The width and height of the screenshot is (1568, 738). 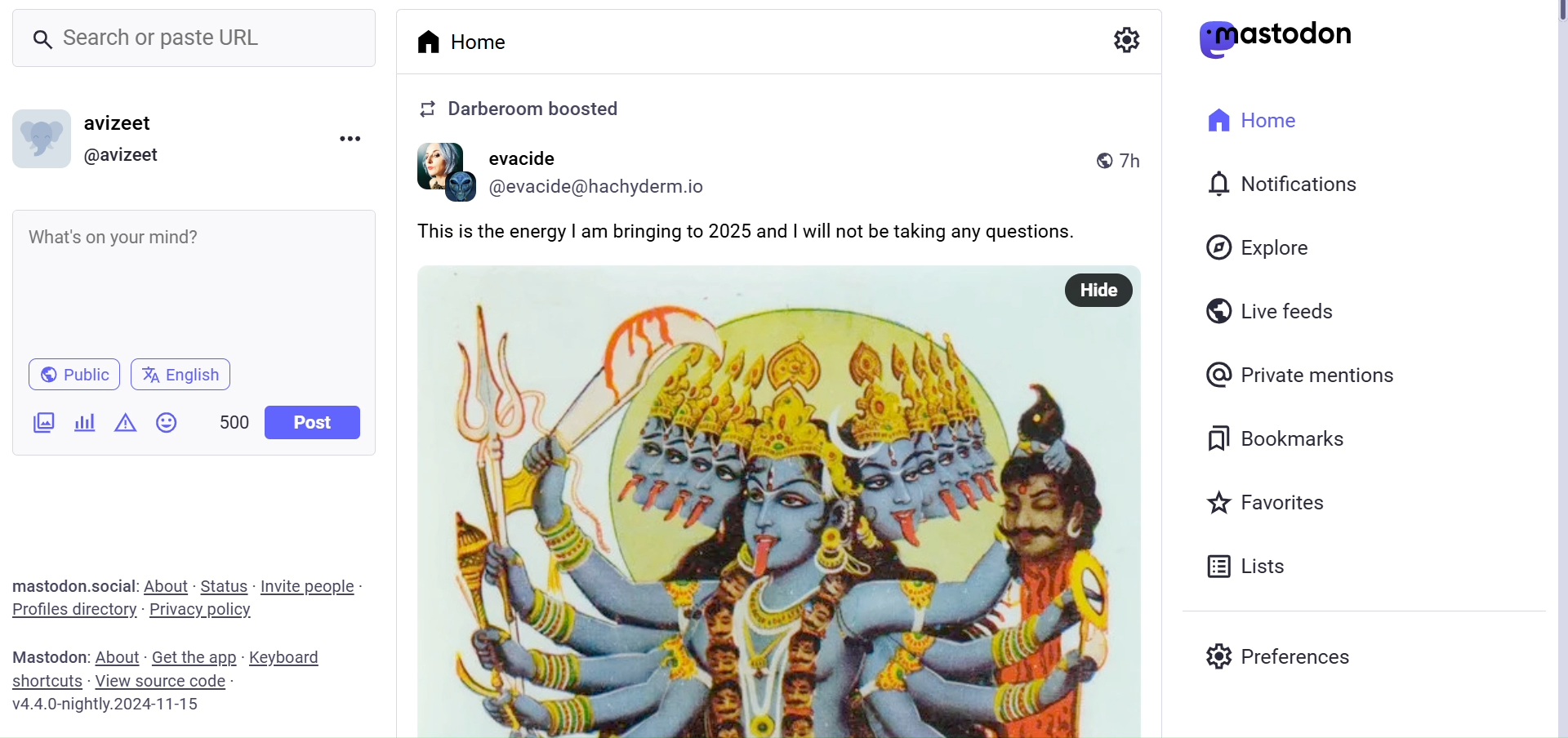 What do you see at coordinates (606, 186) in the screenshot?
I see `user id` at bounding box center [606, 186].